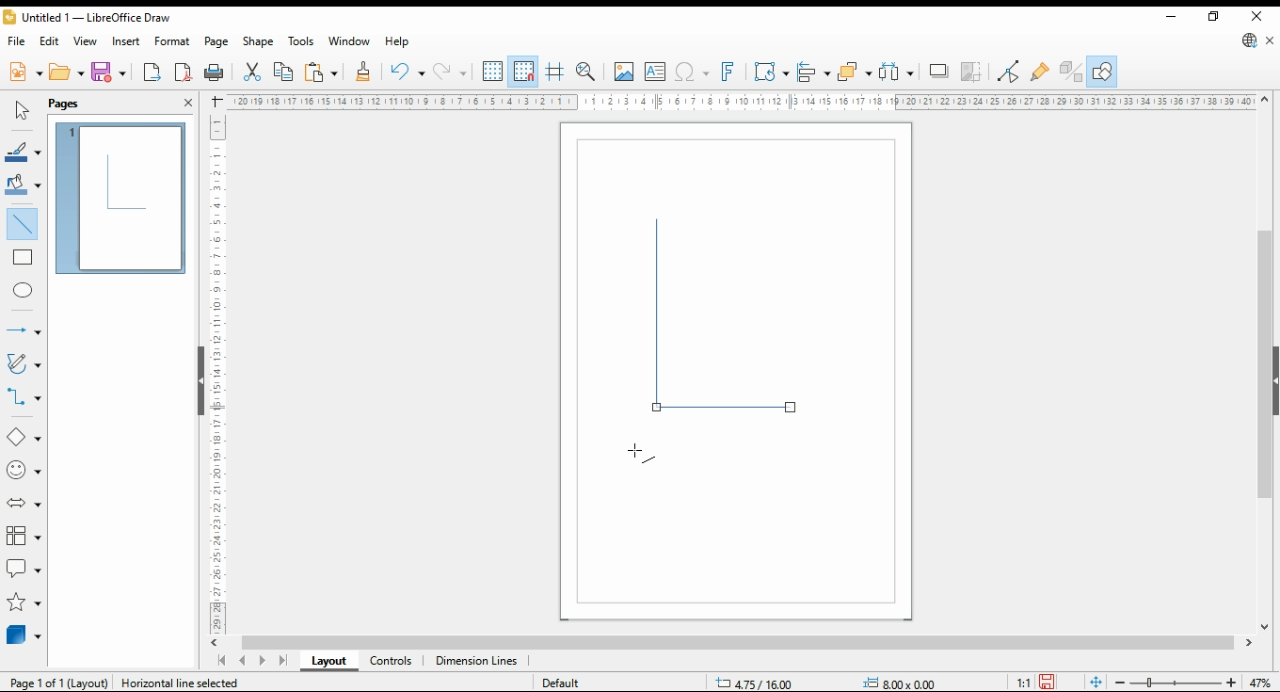  Describe the element at coordinates (477, 662) in the screenshot. I see `dimension` at that location.